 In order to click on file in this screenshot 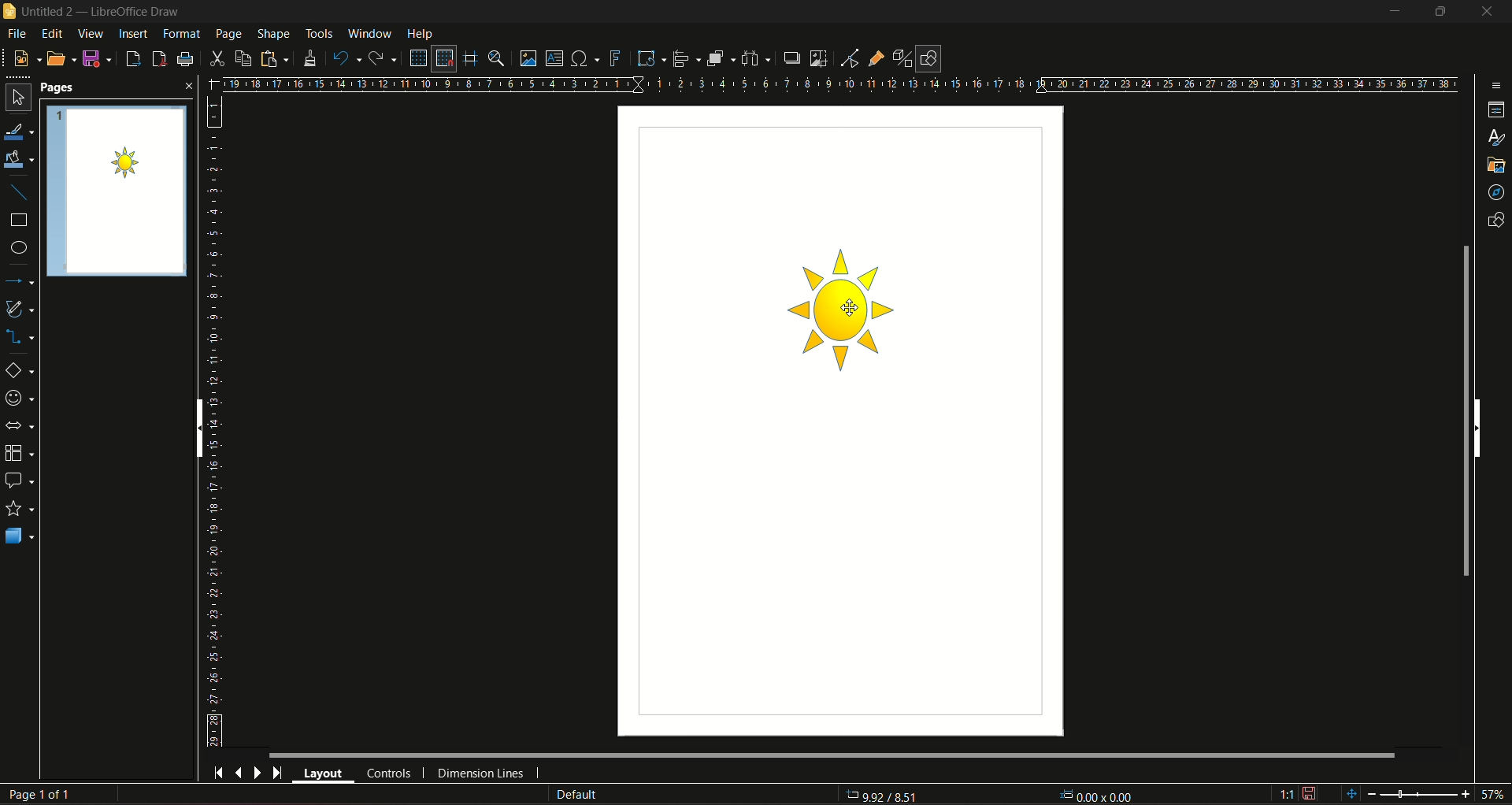, I will do `click(21, 35)`.